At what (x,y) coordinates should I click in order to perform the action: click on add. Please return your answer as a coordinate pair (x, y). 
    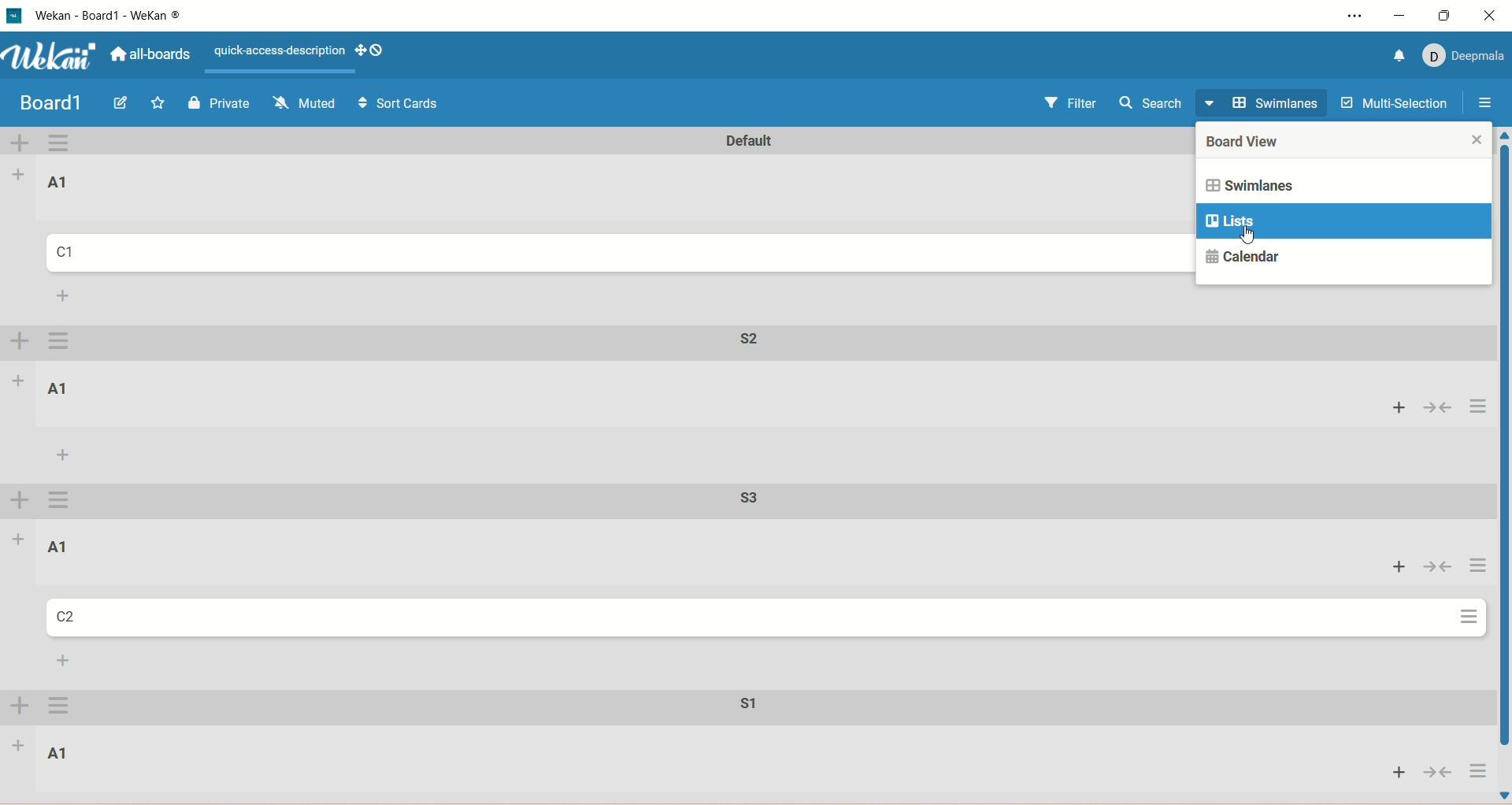
    Looking at the image, I should click on (1395, 410).